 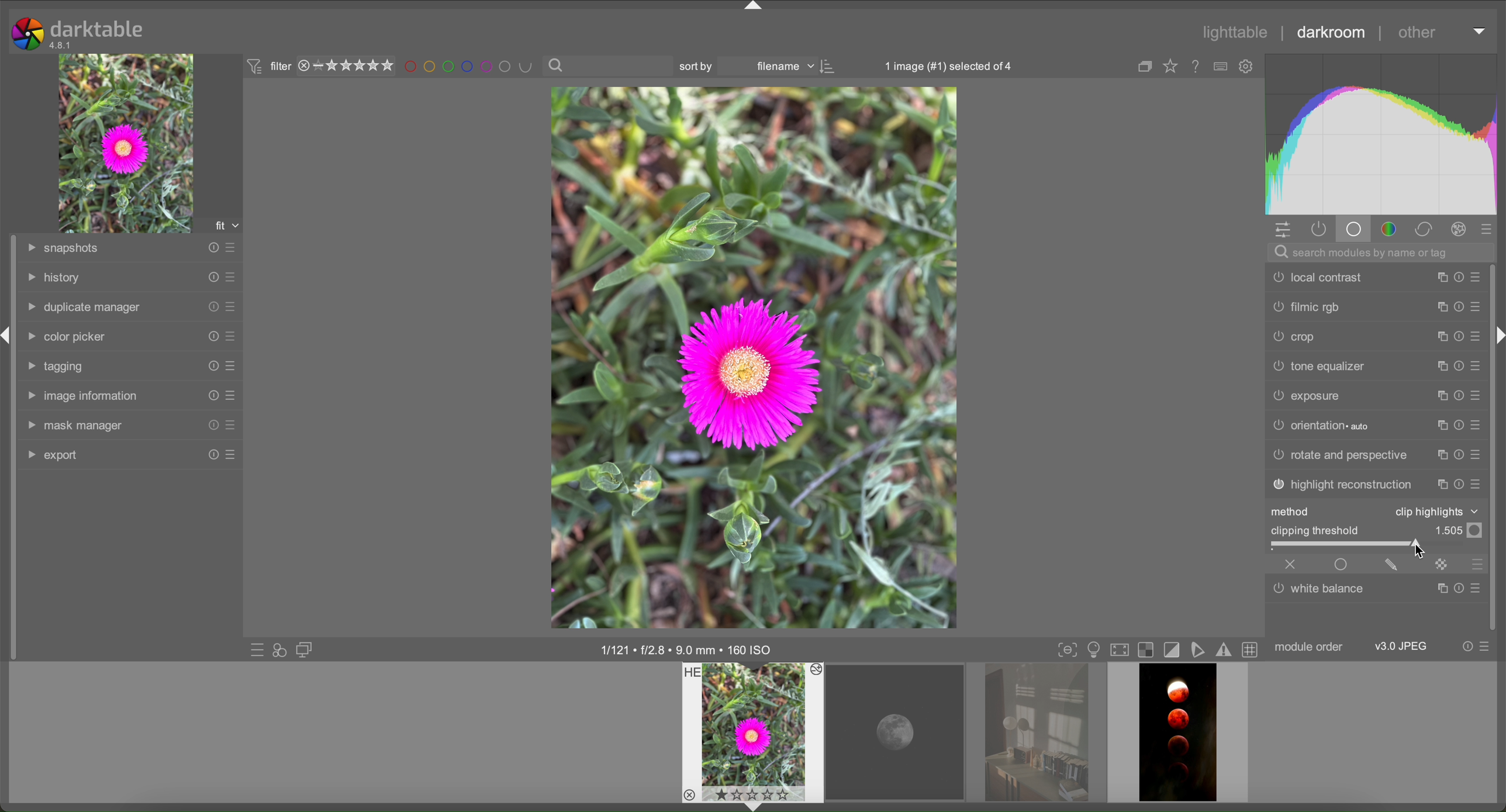 What do you see at coordinates (1456, 457) in the screenshot?
I see `reset presets` at bounding box center [1456, 457].